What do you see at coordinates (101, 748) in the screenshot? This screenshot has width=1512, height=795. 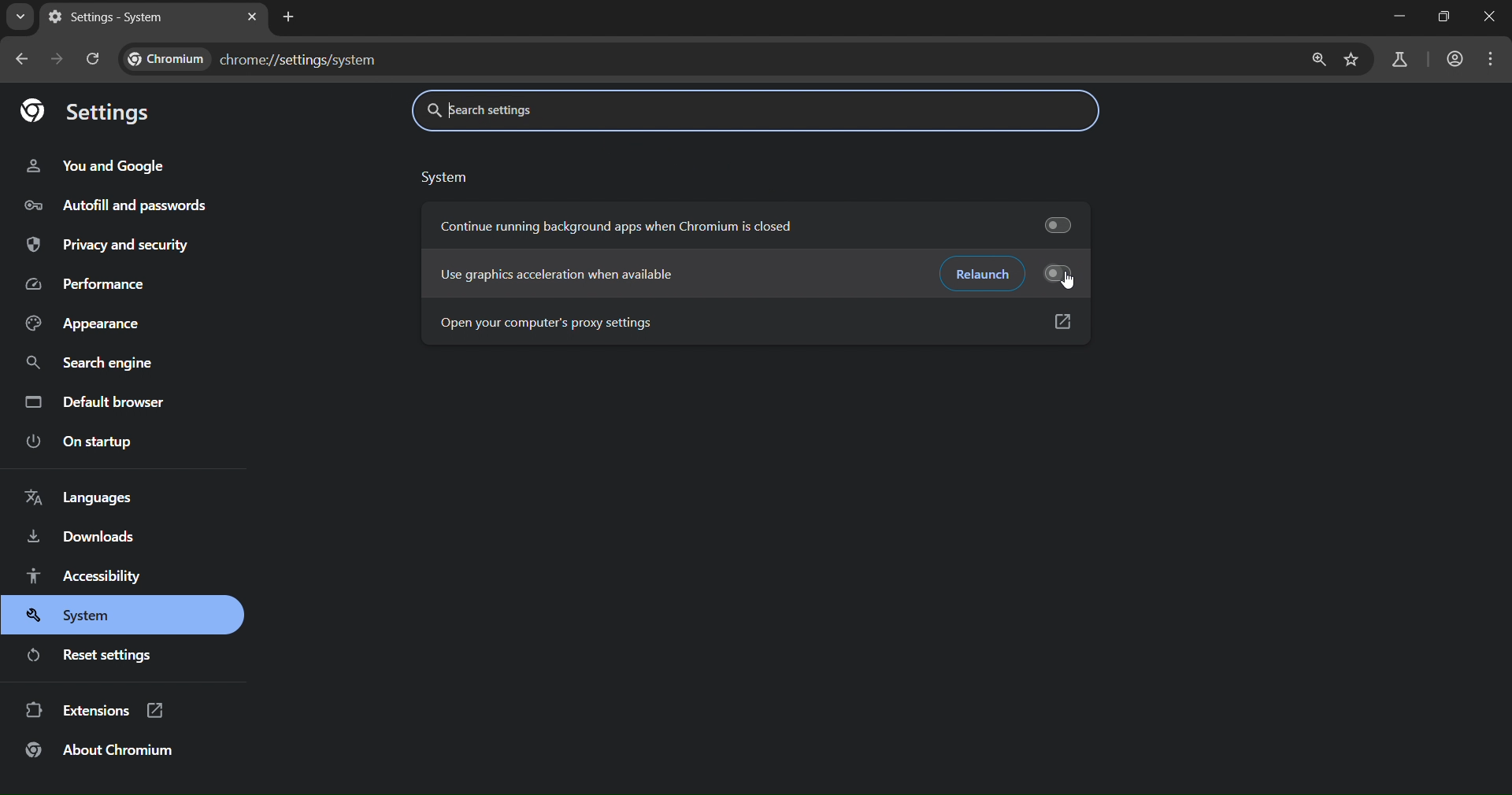 I see `about chromium` at bounding box center [101, 748].